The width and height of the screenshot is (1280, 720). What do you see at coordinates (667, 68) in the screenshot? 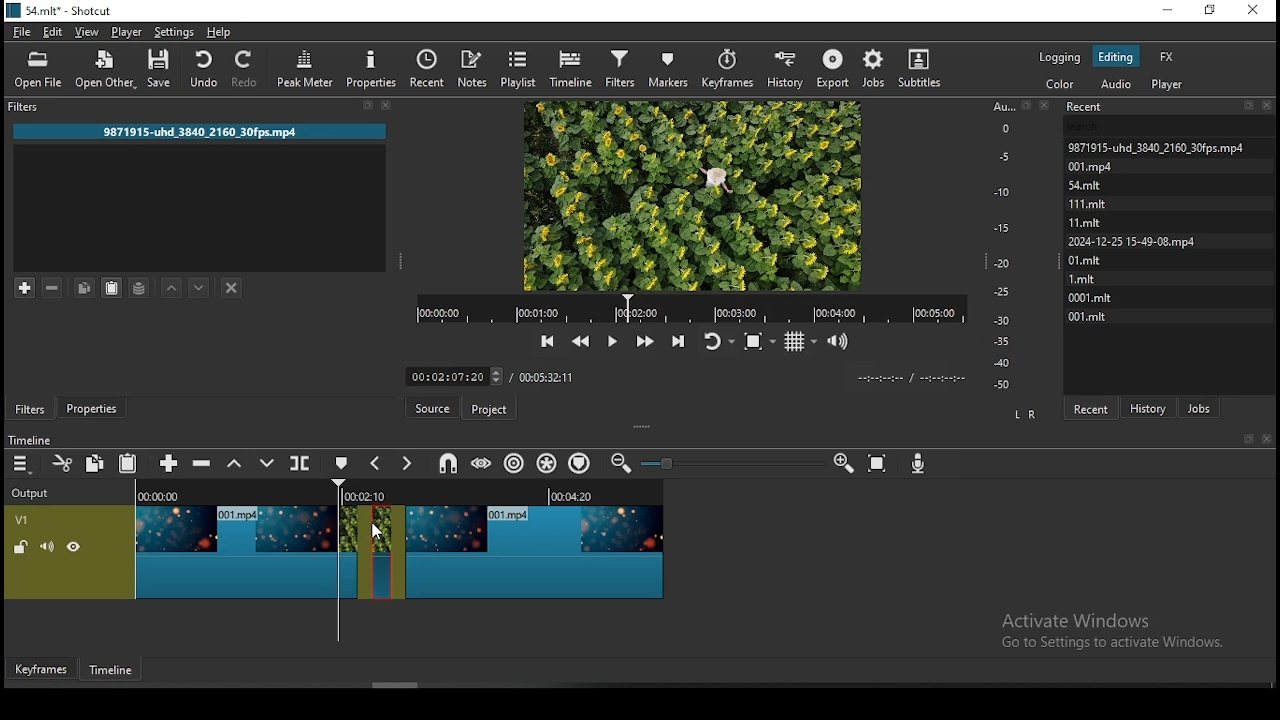
I see `markers` at bounding box center [667, 68].